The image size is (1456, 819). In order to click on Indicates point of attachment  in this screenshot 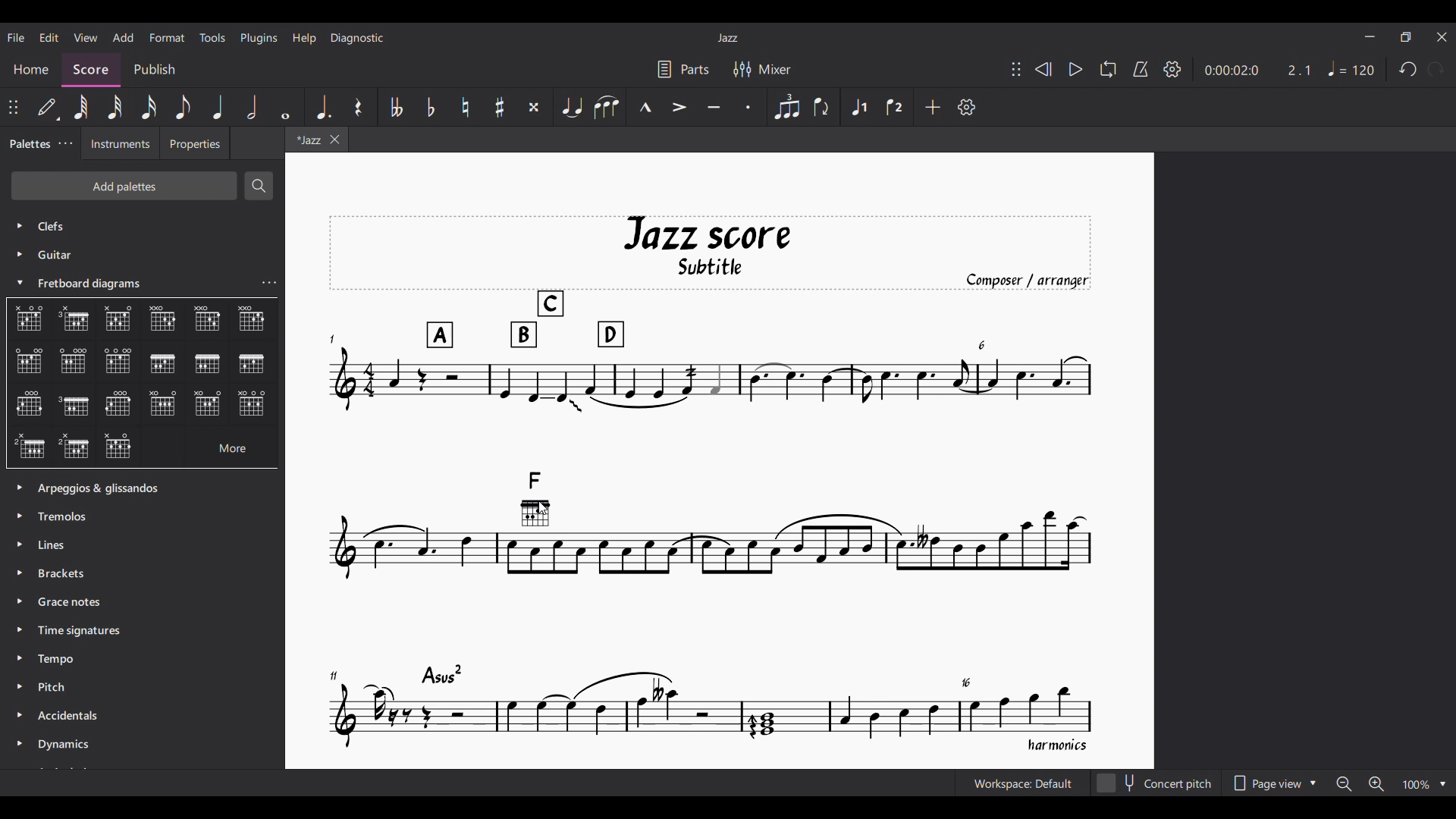, I will do `click(548, 518)`.